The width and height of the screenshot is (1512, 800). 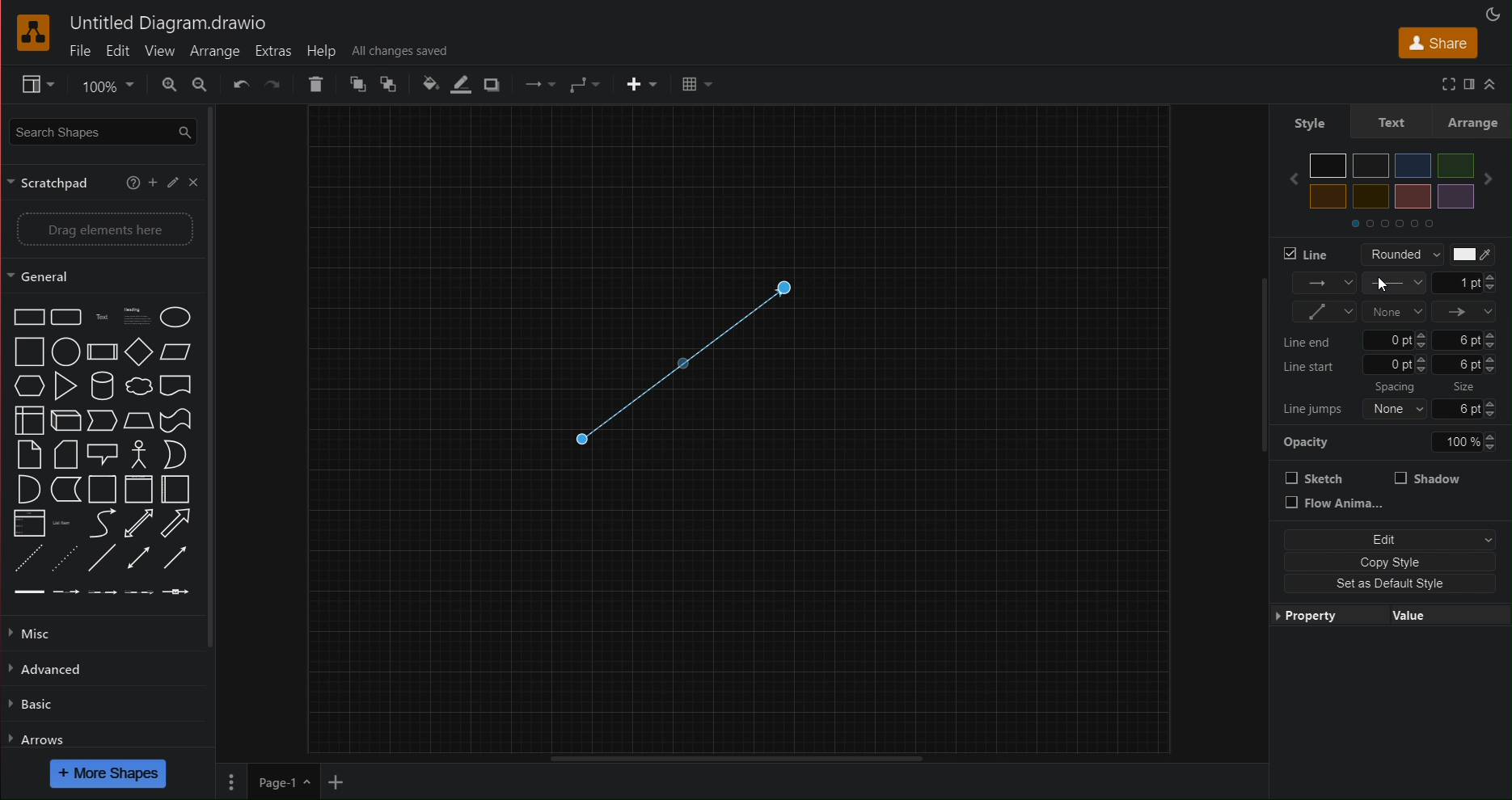 What do you see at coordinates (168, 84) in the screenshot?
I see `Zoom In` at bounding box center [168, 84].